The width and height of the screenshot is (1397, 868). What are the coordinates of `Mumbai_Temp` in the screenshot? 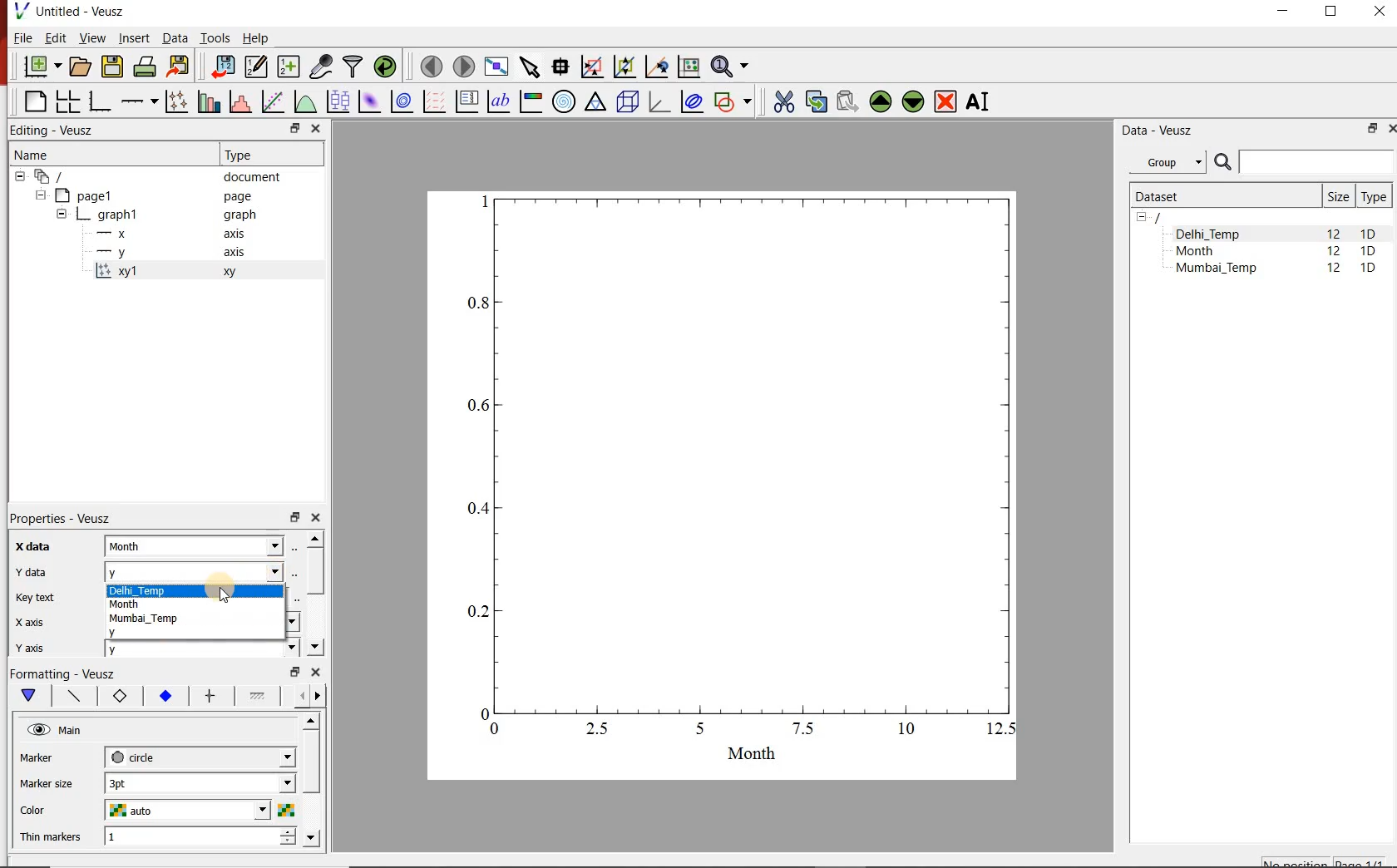 It's located at (146, 619).